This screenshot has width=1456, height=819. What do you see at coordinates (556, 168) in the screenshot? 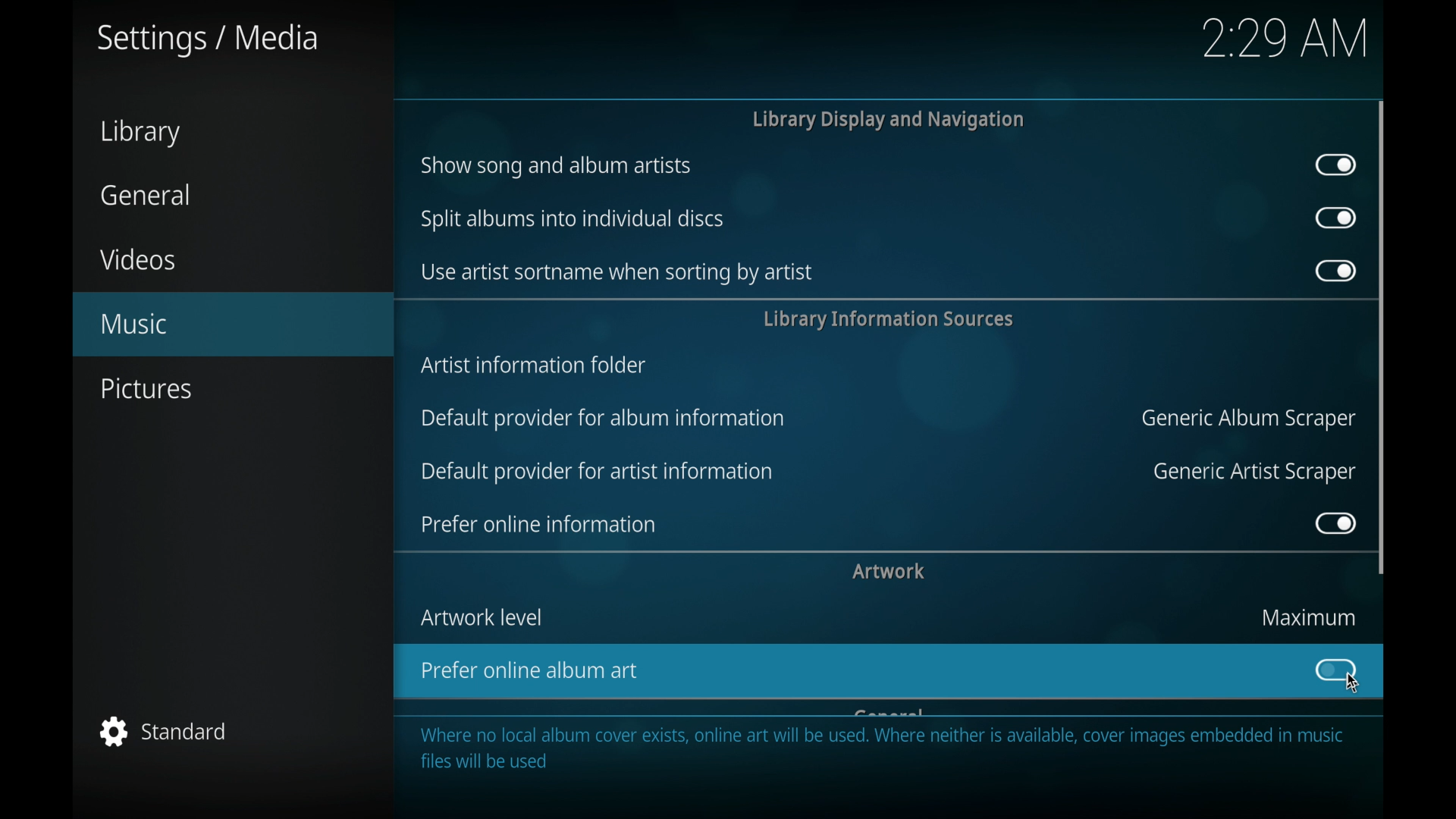
I see `show song and album artists` at bounding box center [556, 168].